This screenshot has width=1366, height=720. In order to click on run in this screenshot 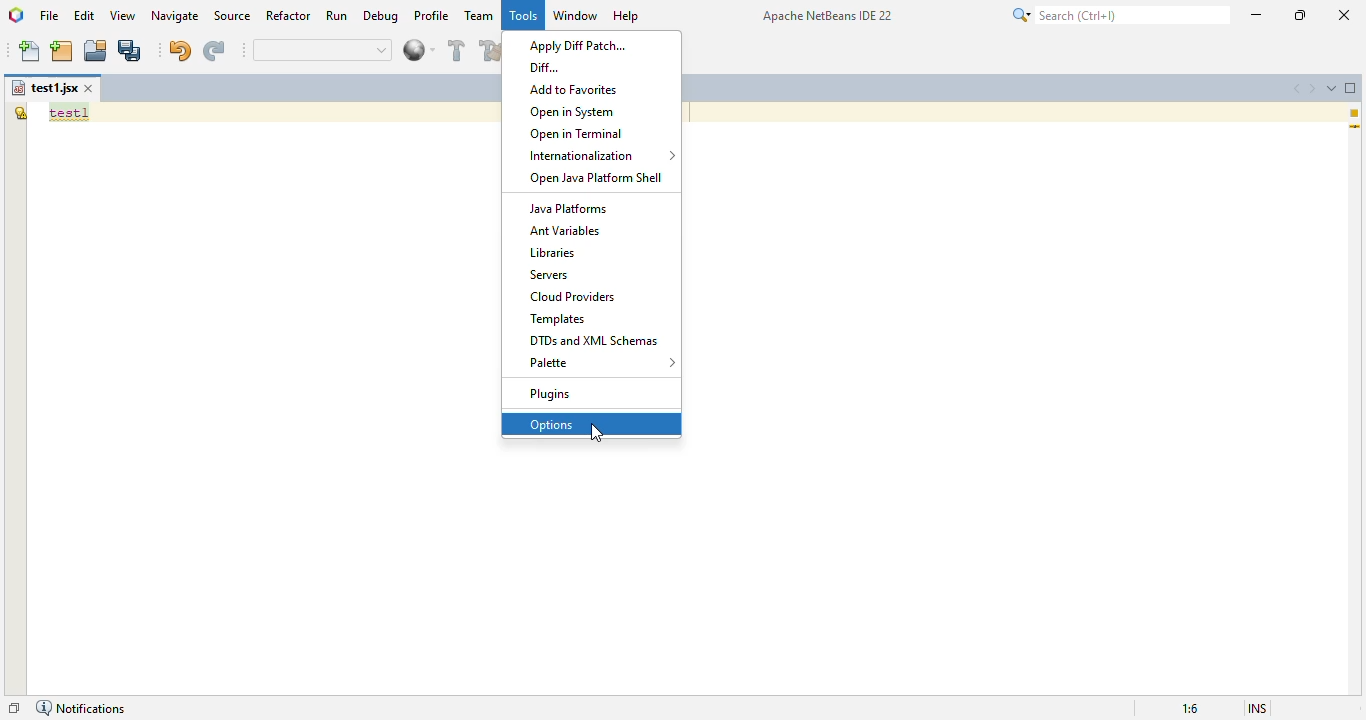, I will do `click(337, 16)`.